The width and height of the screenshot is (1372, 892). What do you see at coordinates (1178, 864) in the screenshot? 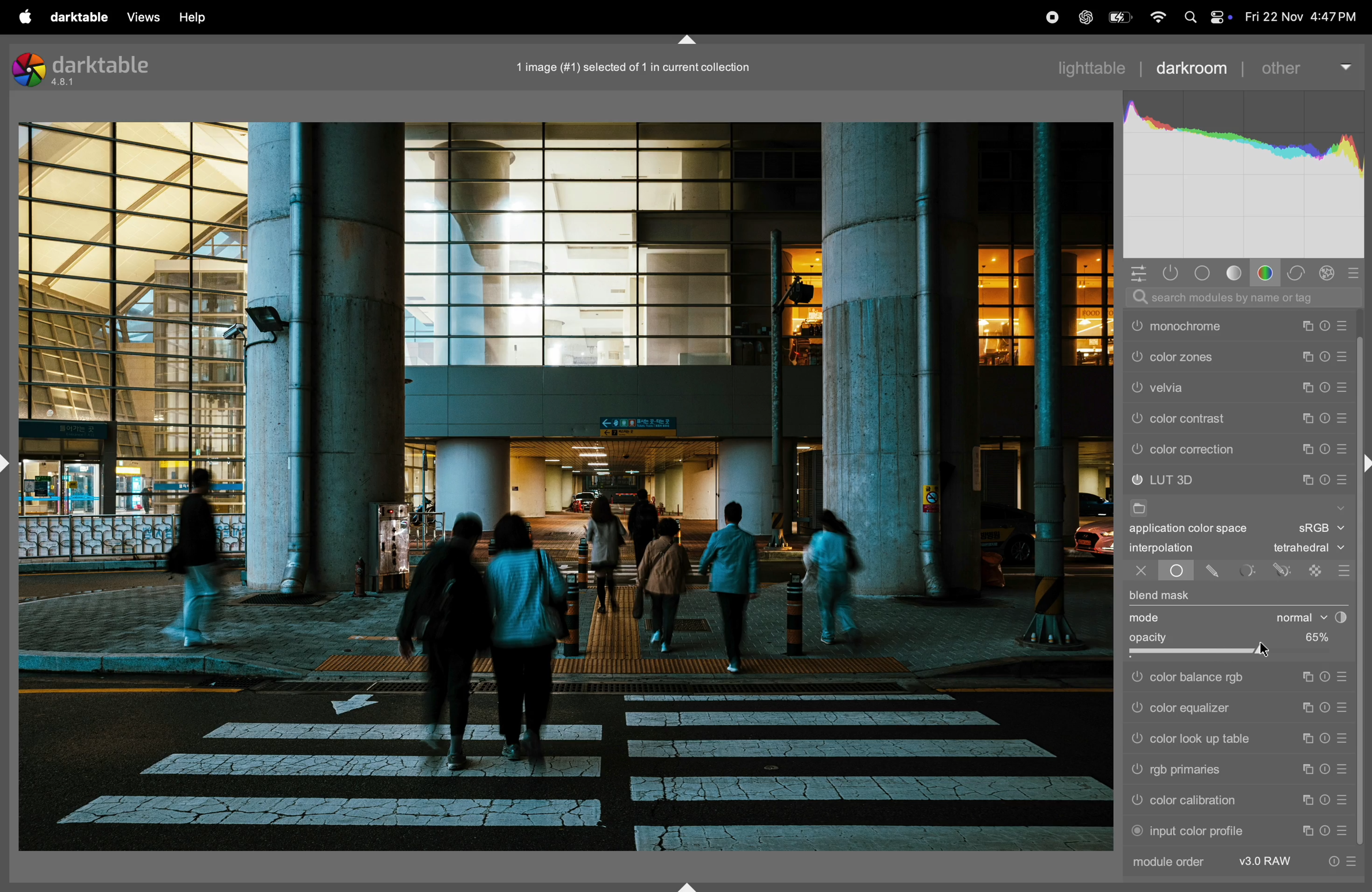
I see `module order` at bounding box center [1178, 864].